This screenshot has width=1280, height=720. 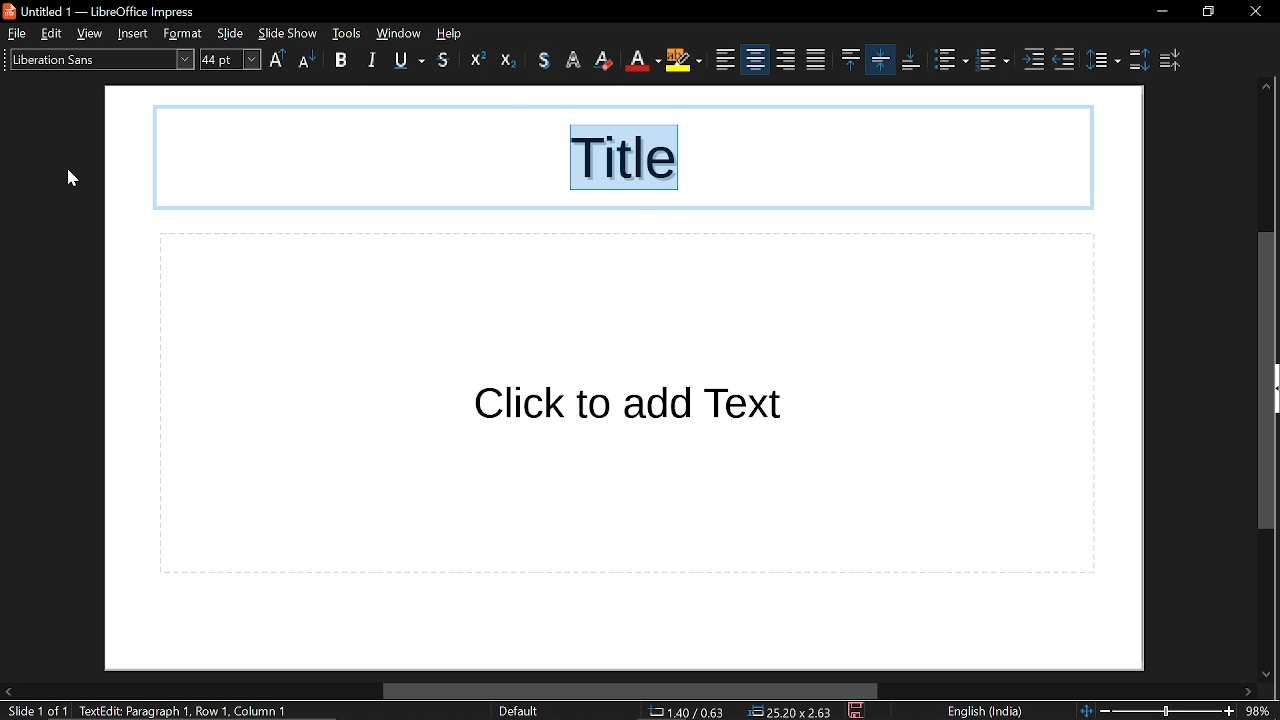 I want to click on lowercase, so click(x=306, y=62).